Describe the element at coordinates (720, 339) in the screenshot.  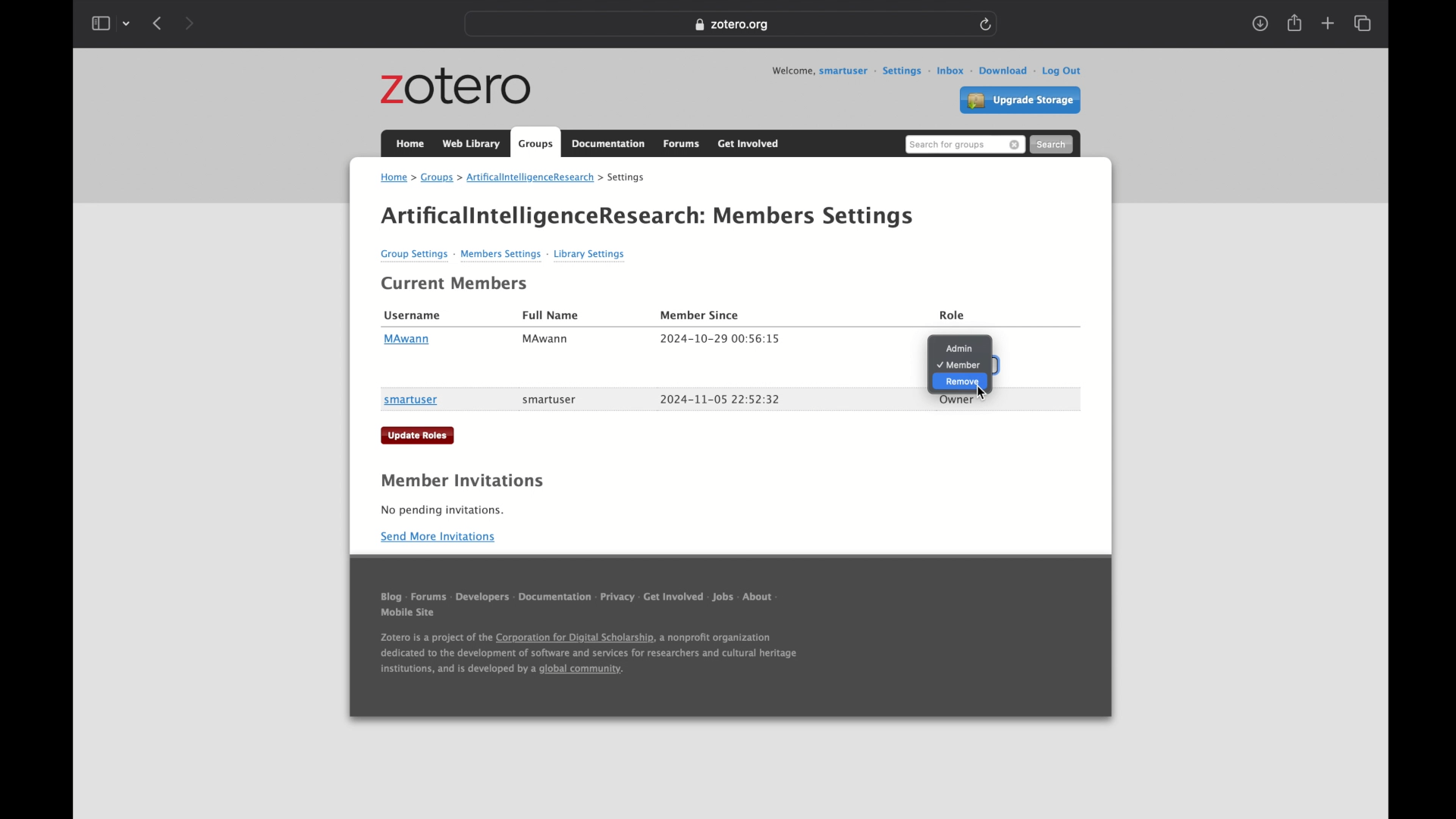
I see `member since date` at that location.